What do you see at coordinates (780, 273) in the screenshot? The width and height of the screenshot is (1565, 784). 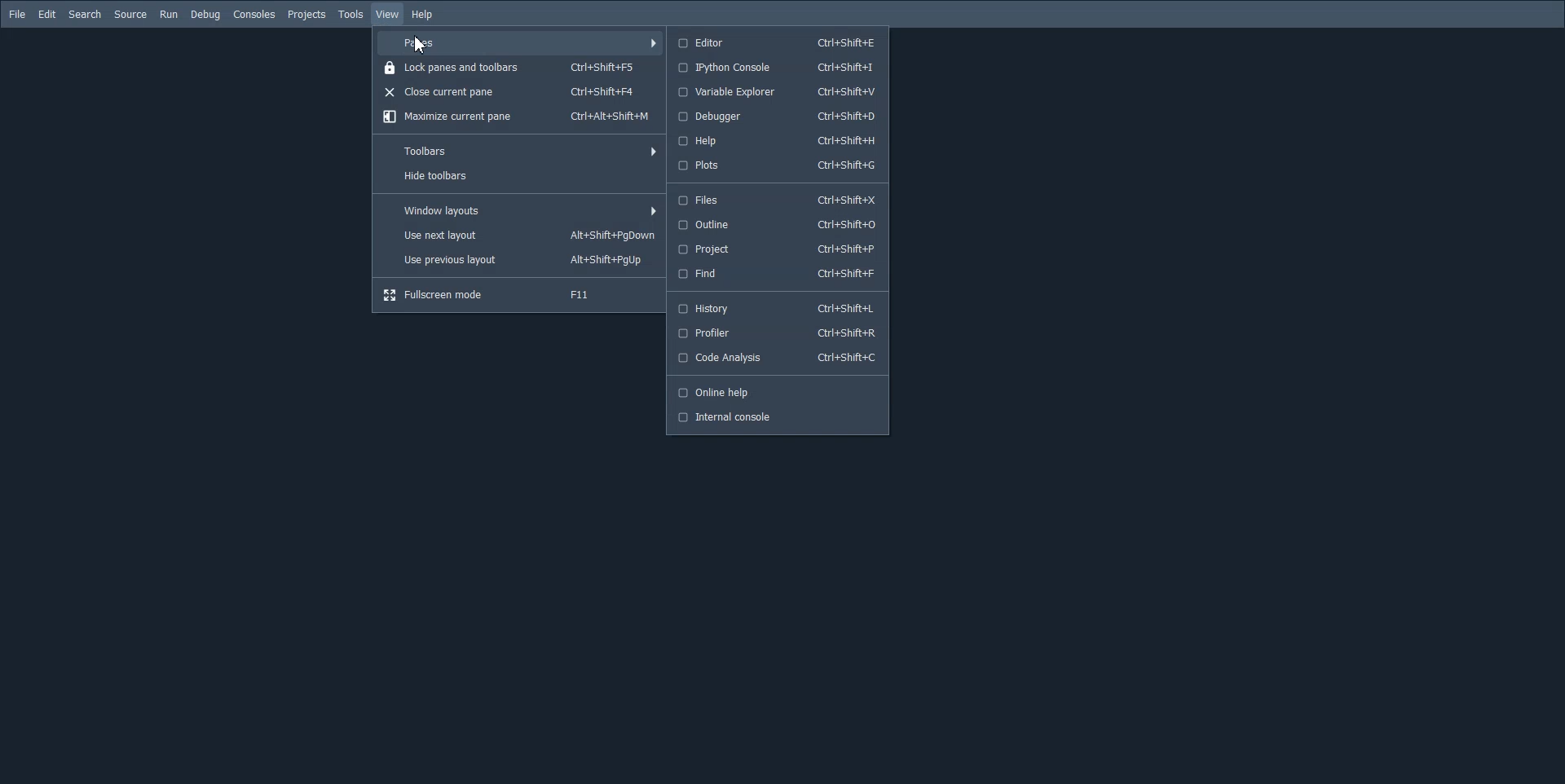 I see `Find` at bounding box center [780, 273].